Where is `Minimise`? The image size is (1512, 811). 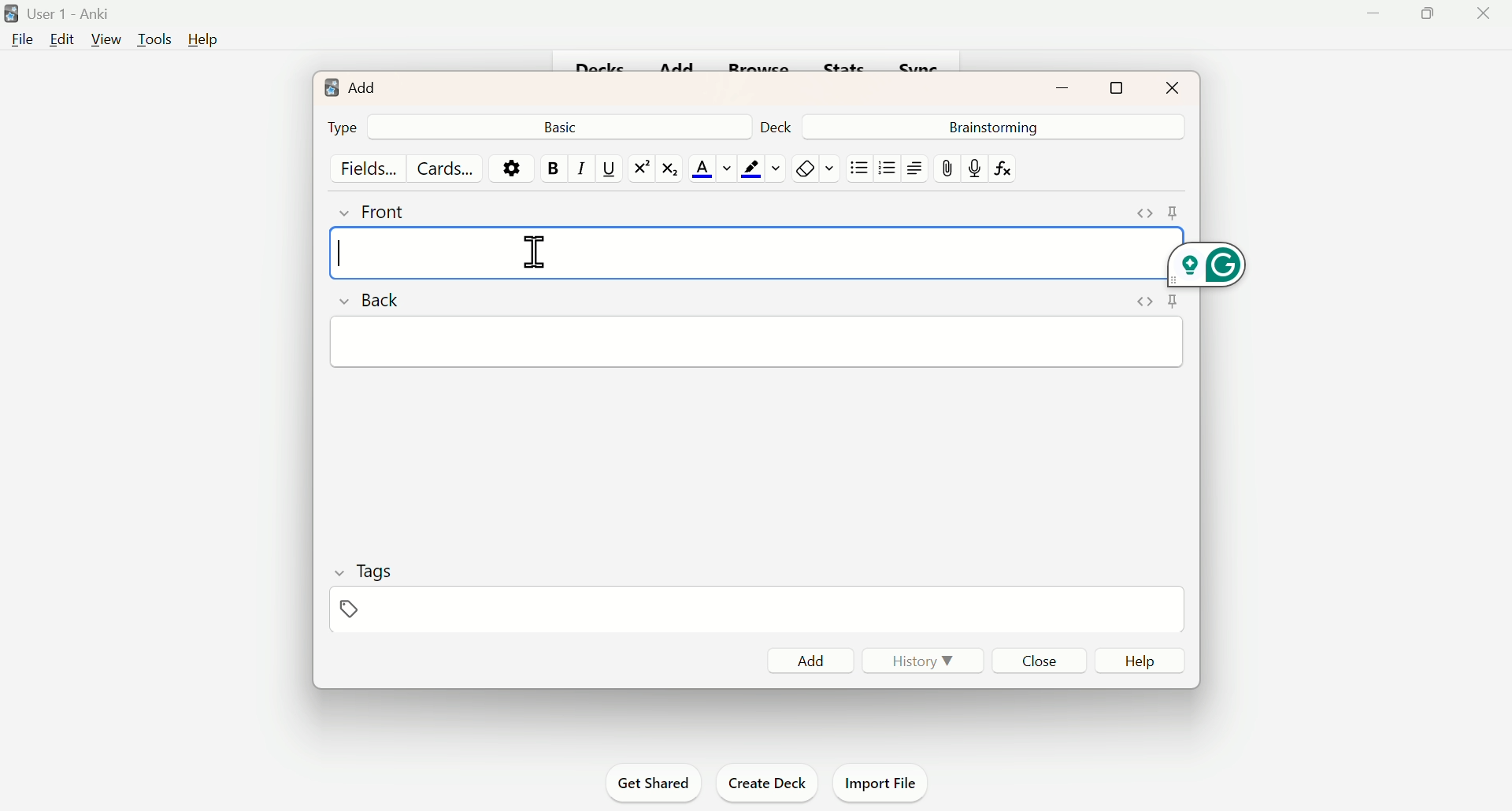
Minimise is located at coordinates (1371, 19).